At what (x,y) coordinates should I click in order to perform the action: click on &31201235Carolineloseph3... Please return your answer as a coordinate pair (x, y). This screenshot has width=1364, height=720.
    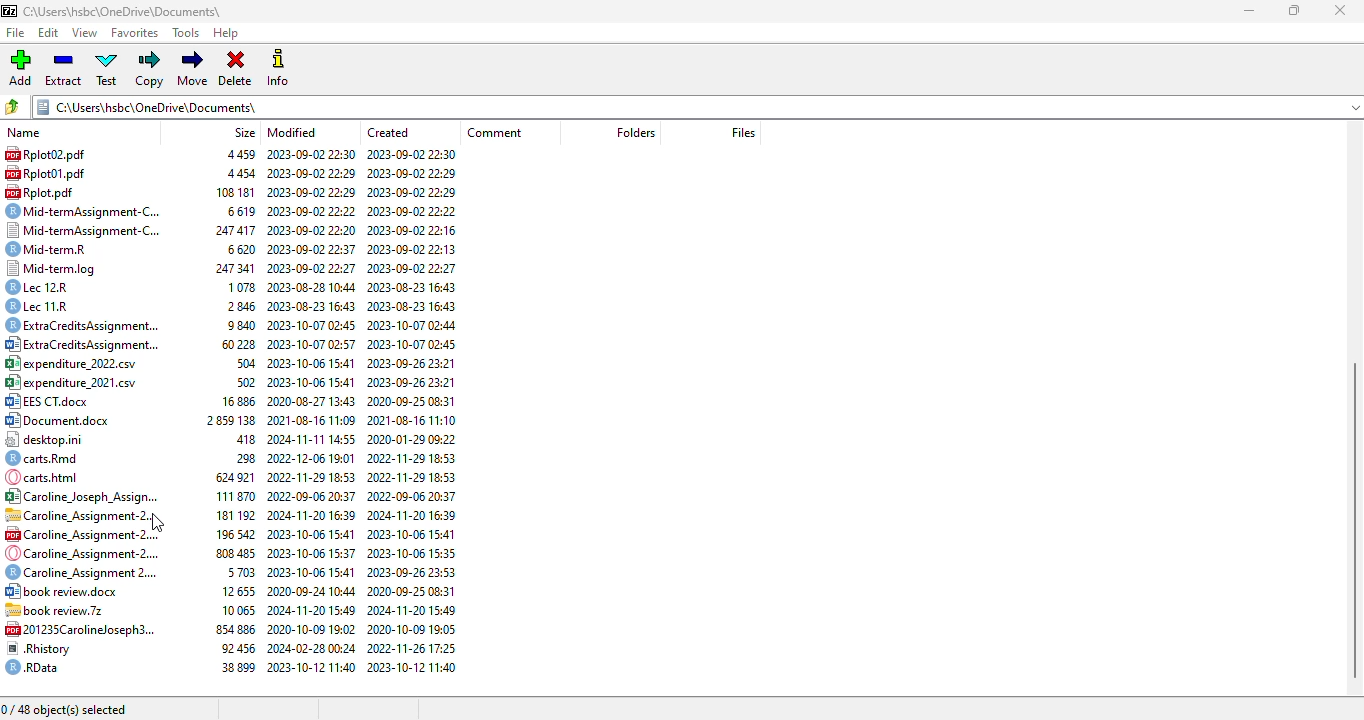
    Looking at the image, I should click on (77, 628).